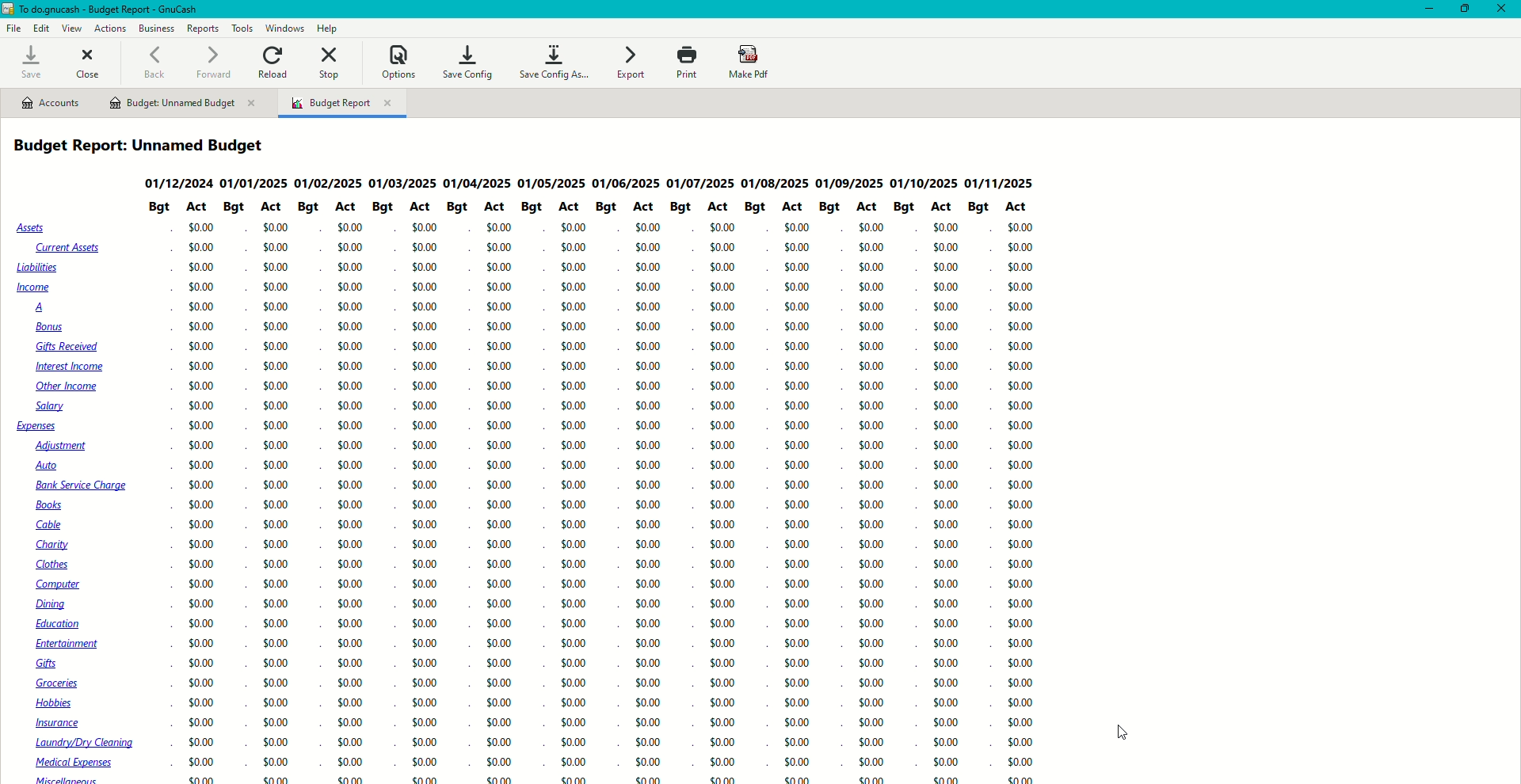 The height and width of the screenshot is (784, 1521). Describe the element at coordinates (398, 61) in the screenshot. I see `Options` at that location.